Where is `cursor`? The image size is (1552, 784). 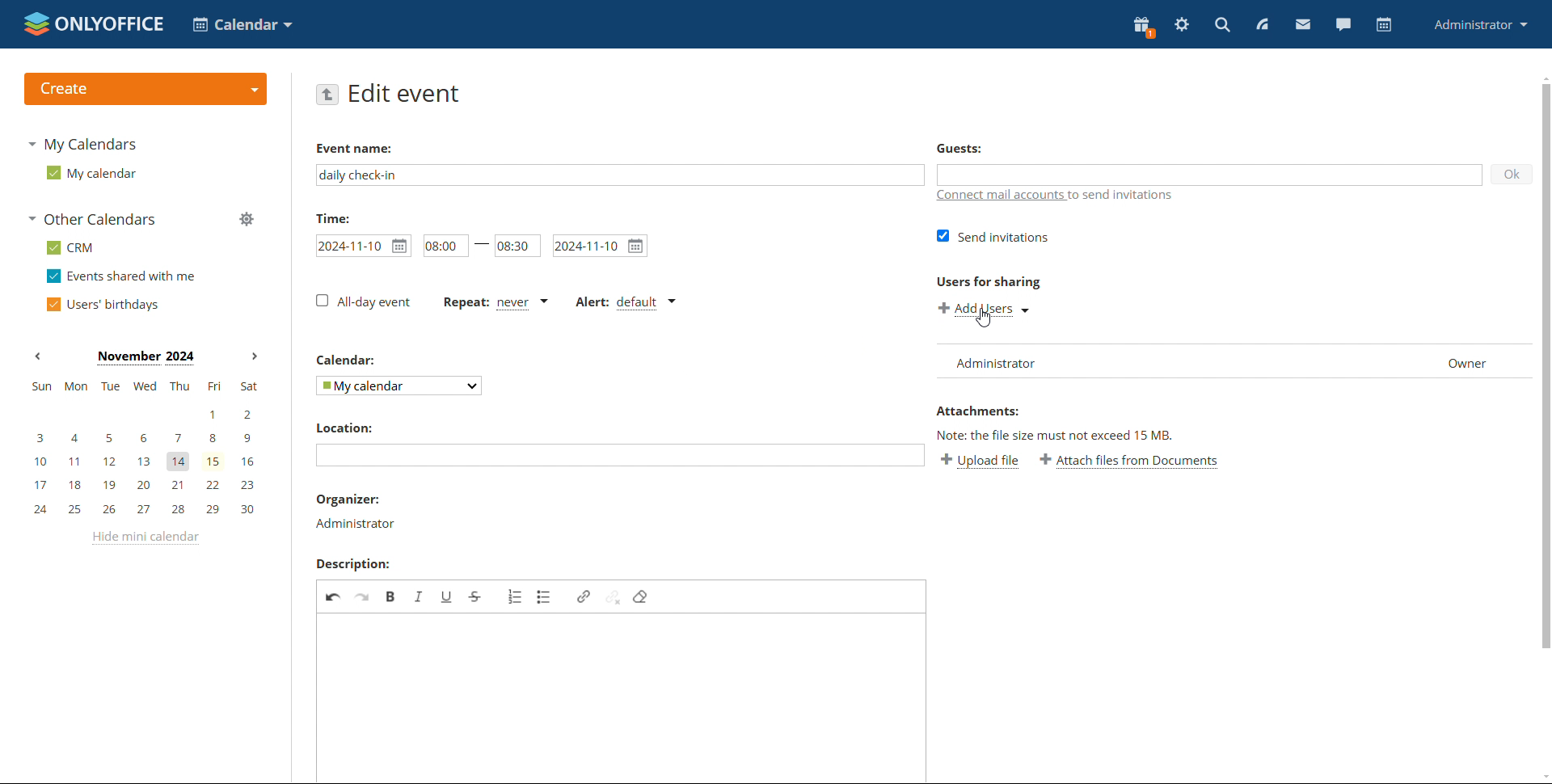 cursor is located at coordinates (983, 318).